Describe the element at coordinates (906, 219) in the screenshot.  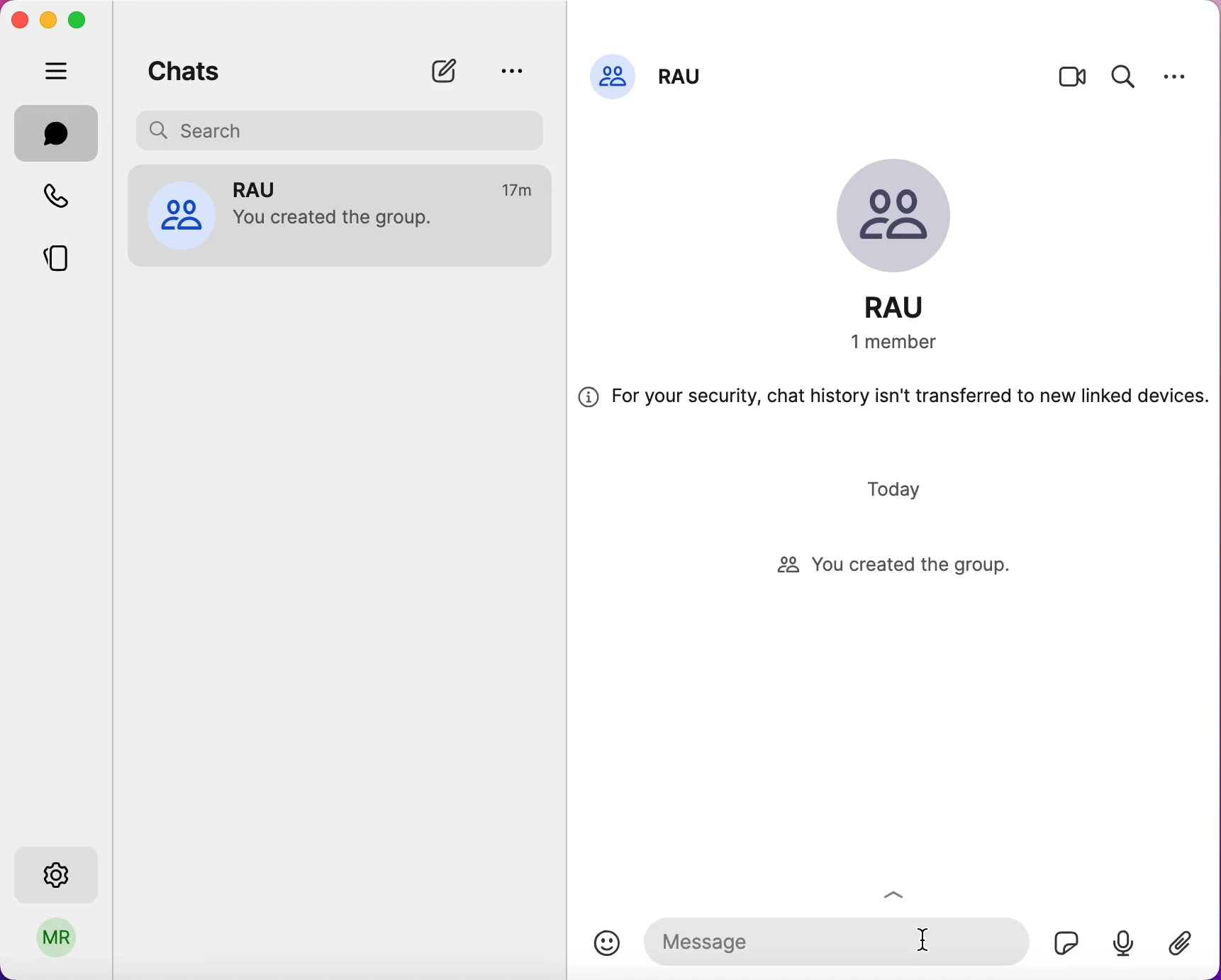
I see `group picture` at that location.